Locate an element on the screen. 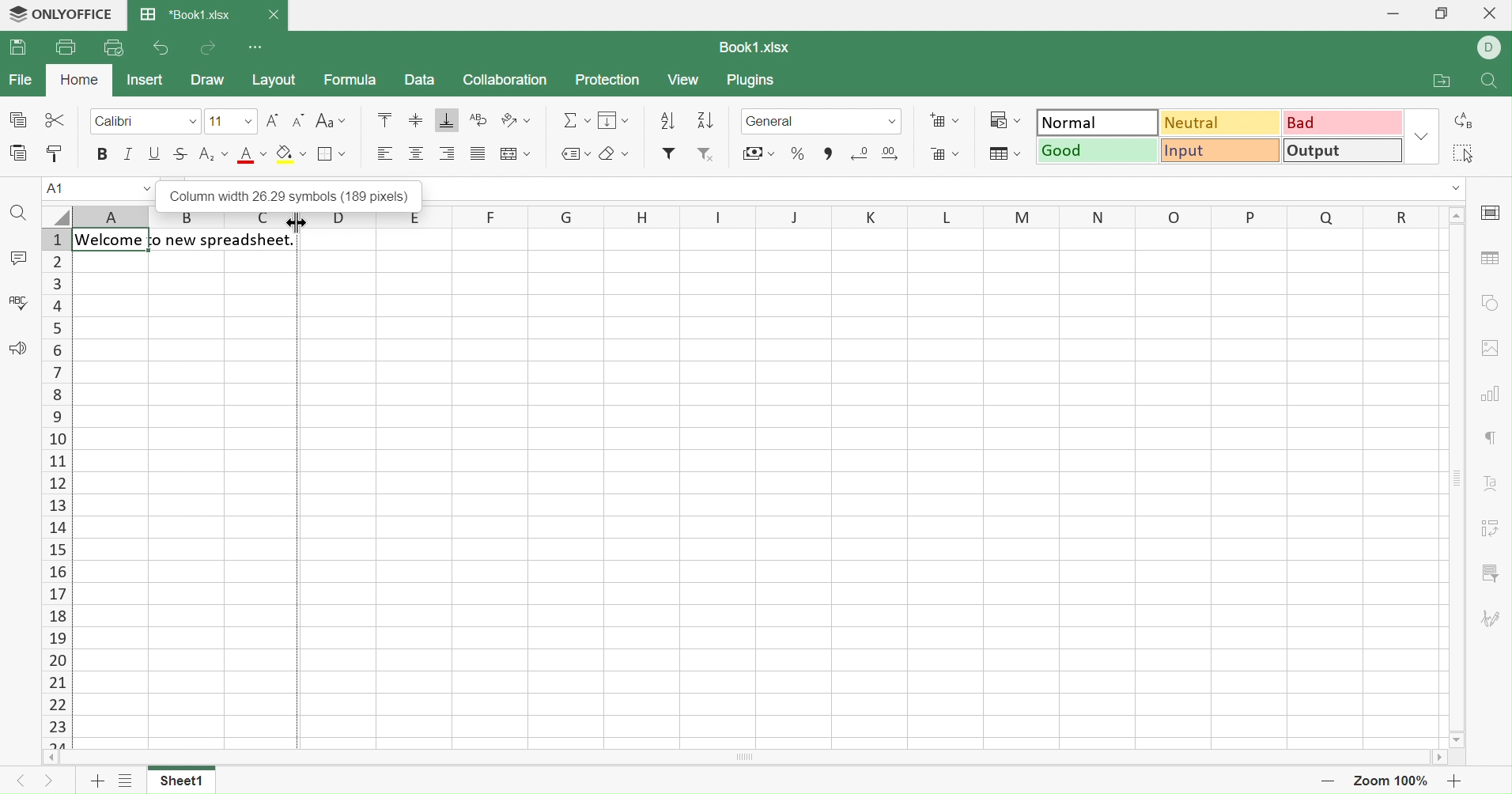  Slicer settings is located at coordinates (1489, 573).